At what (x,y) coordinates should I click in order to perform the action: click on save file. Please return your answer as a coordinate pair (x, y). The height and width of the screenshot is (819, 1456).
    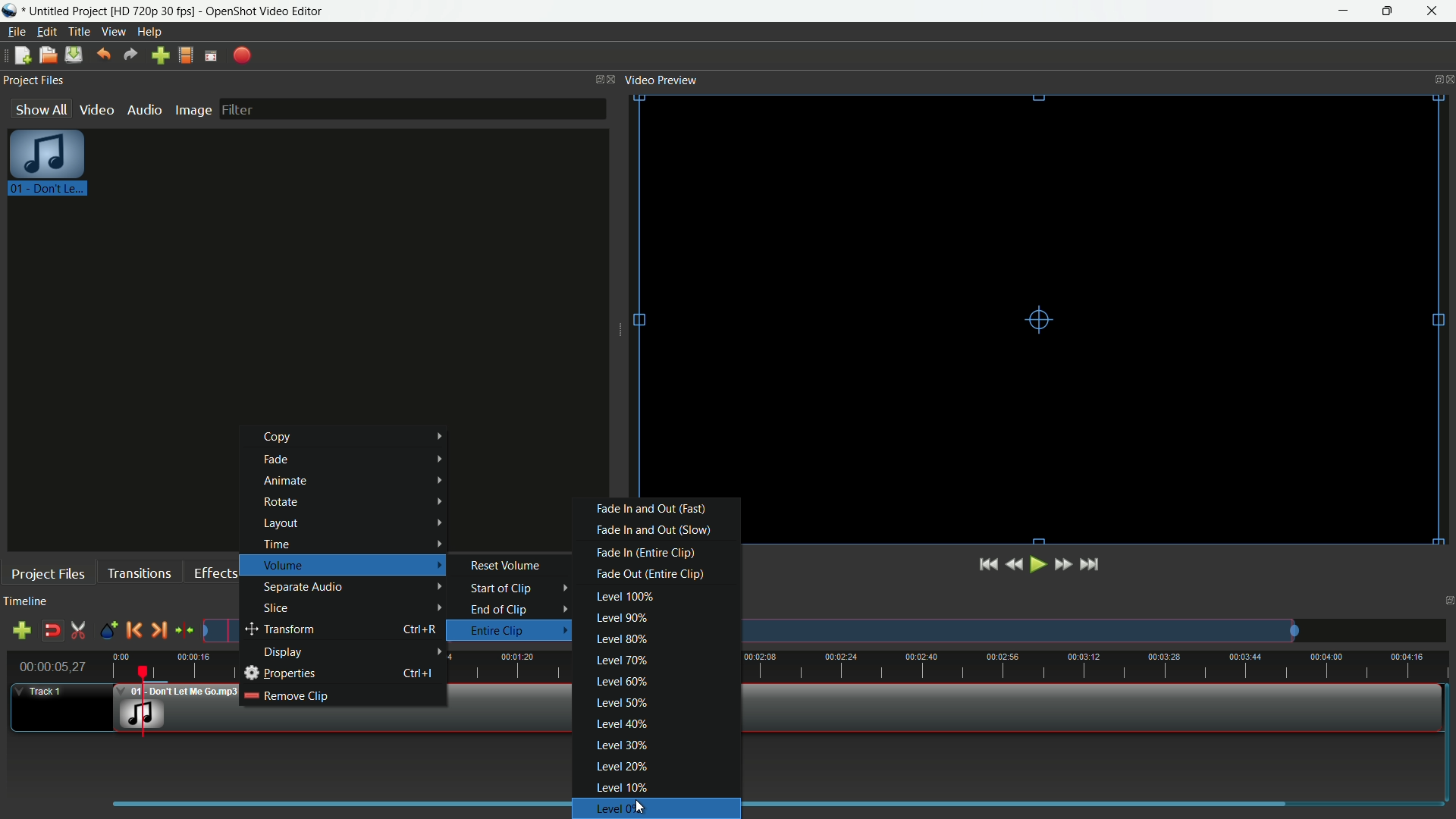
    Looking at the image, I should click on (74, 55).